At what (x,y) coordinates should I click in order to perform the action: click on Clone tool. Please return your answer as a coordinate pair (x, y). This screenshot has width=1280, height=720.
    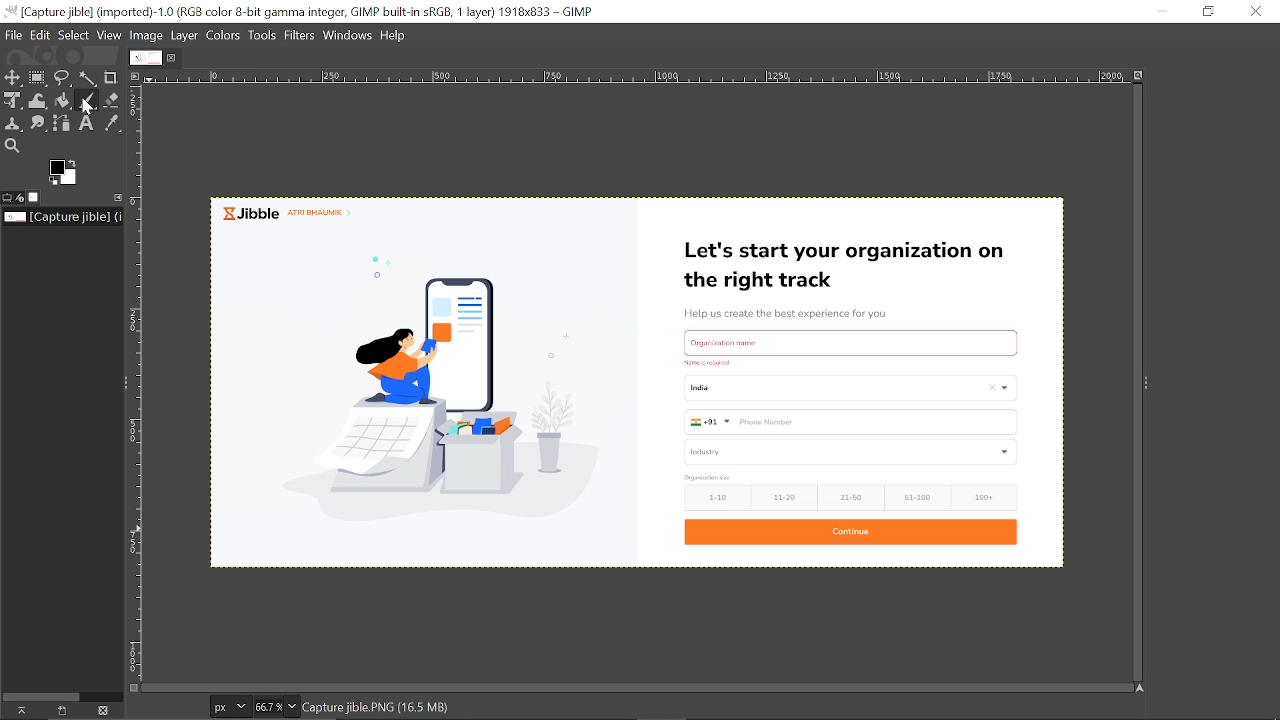
    Looking at the image, I should click on (15, 124).